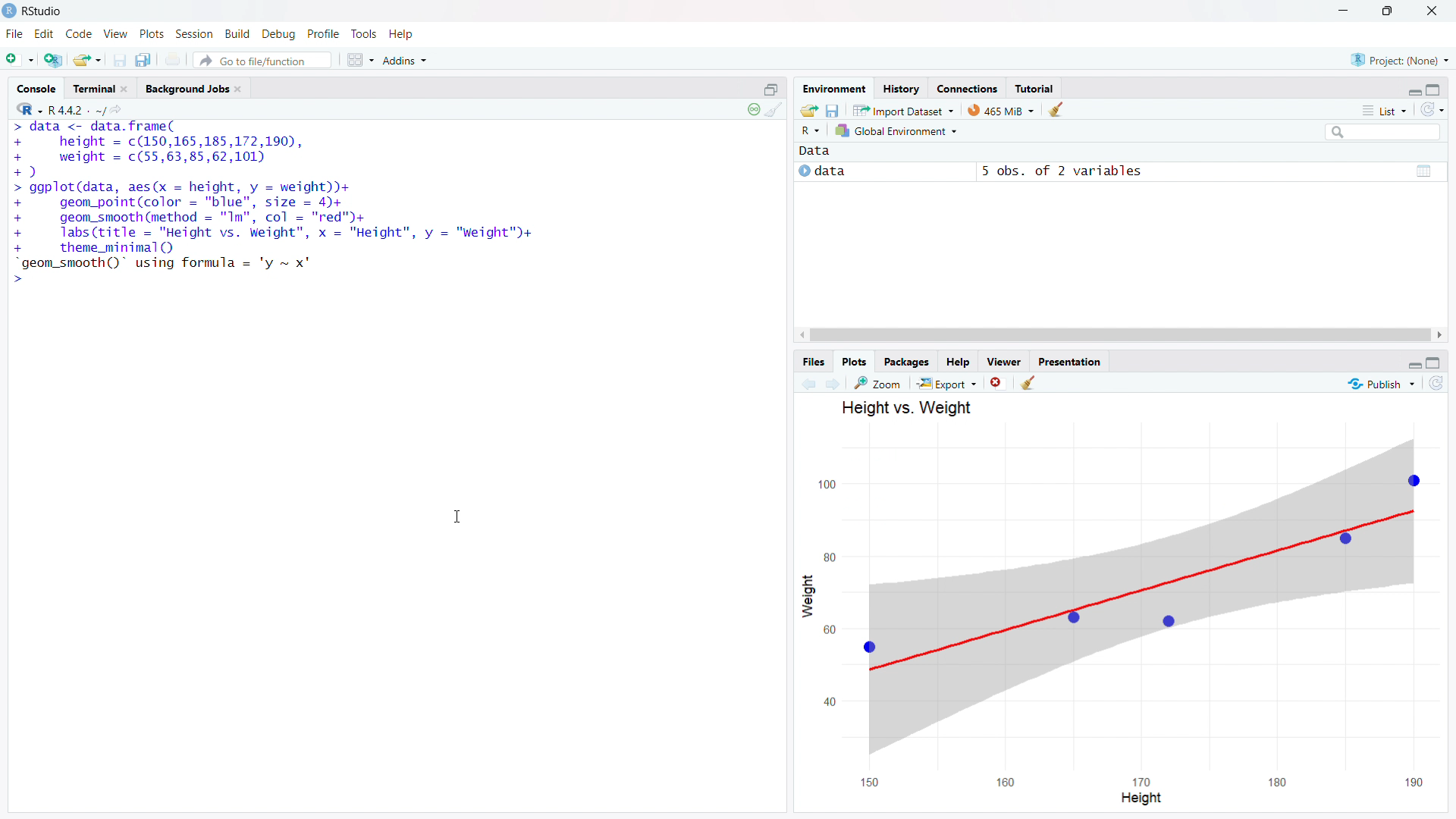 This screenshot has height=819, width=1456. I want to click on minimize pane, so click(1414, 89).